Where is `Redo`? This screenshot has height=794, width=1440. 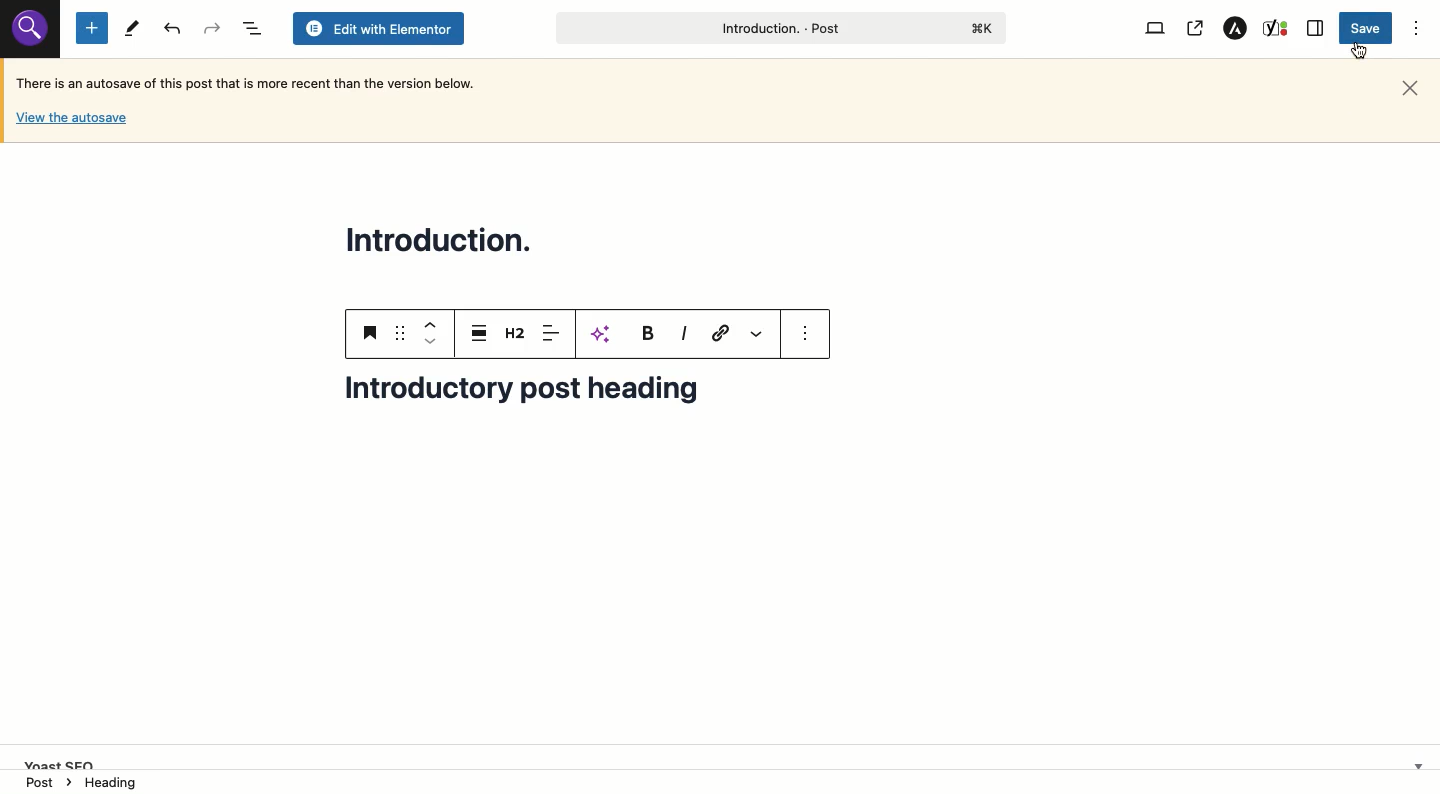 Redo is located at coordinates (174, 29).